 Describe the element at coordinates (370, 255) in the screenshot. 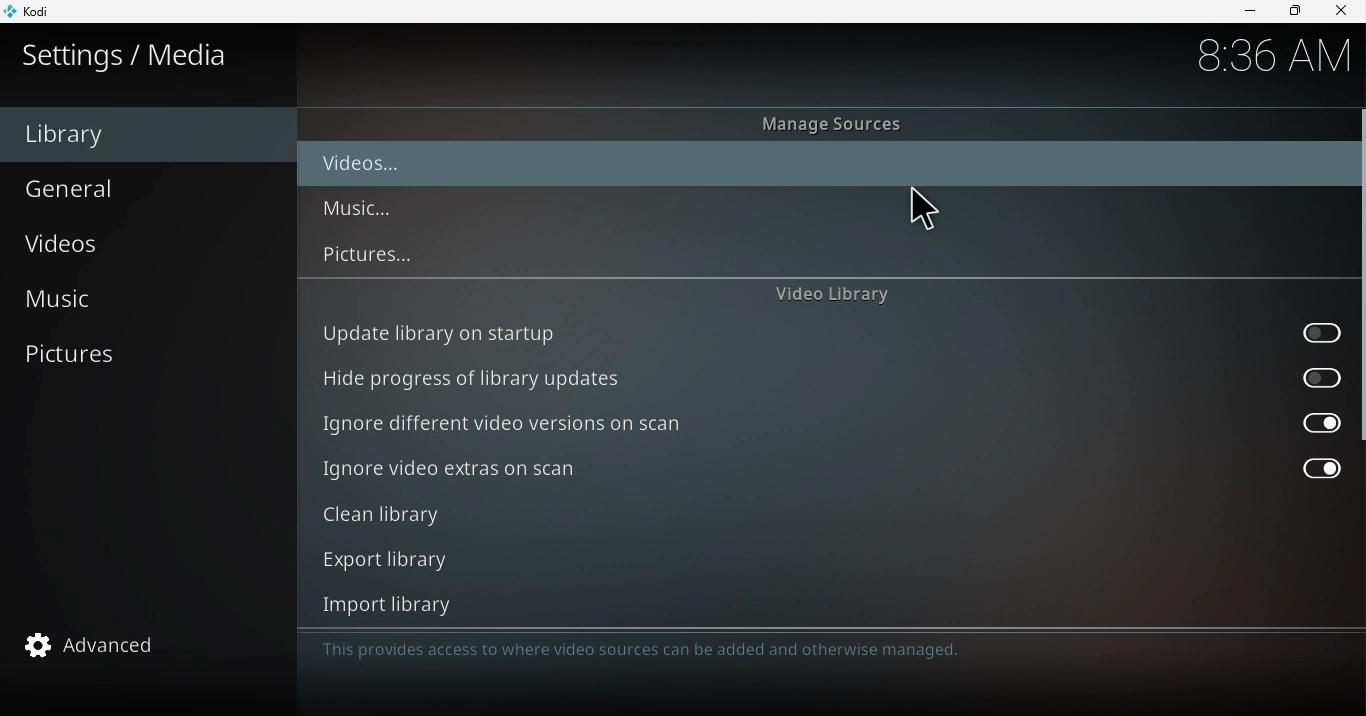

I see `Pictures` at that location.